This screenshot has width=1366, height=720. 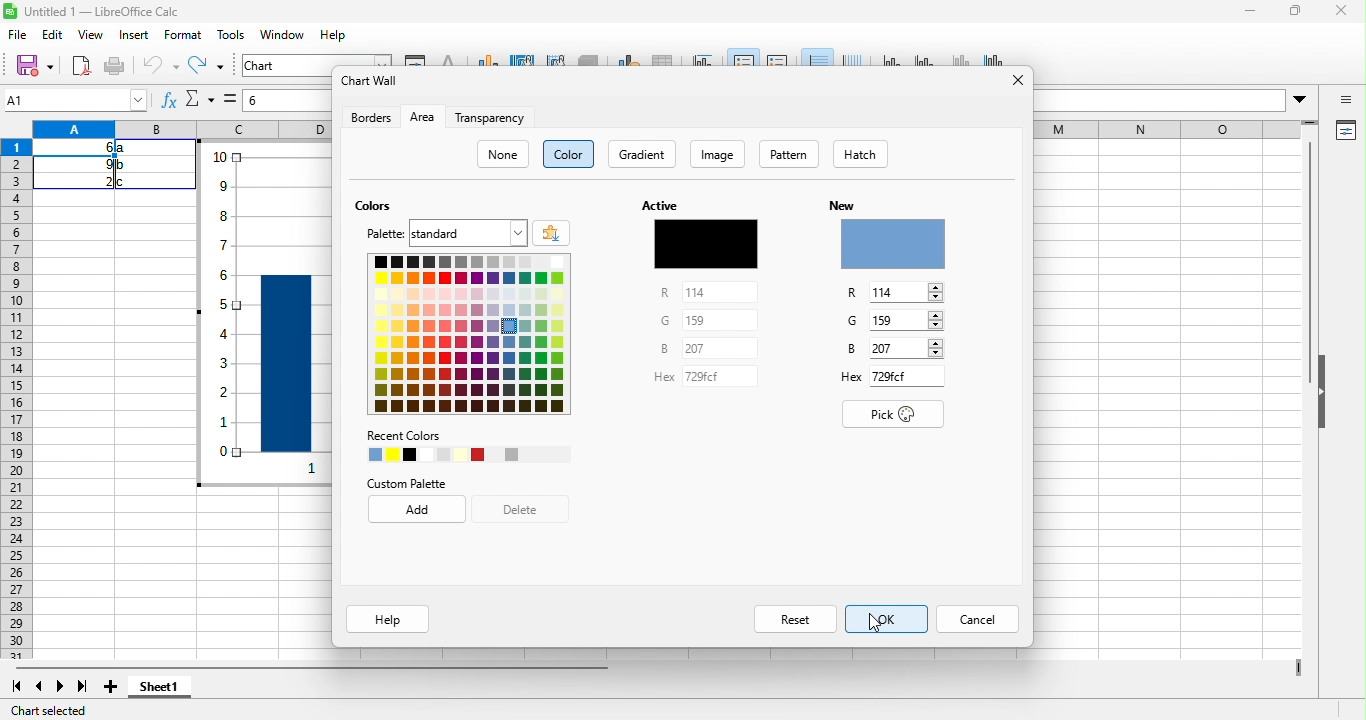 I want to click on cancel, so click(x=981, y=616).